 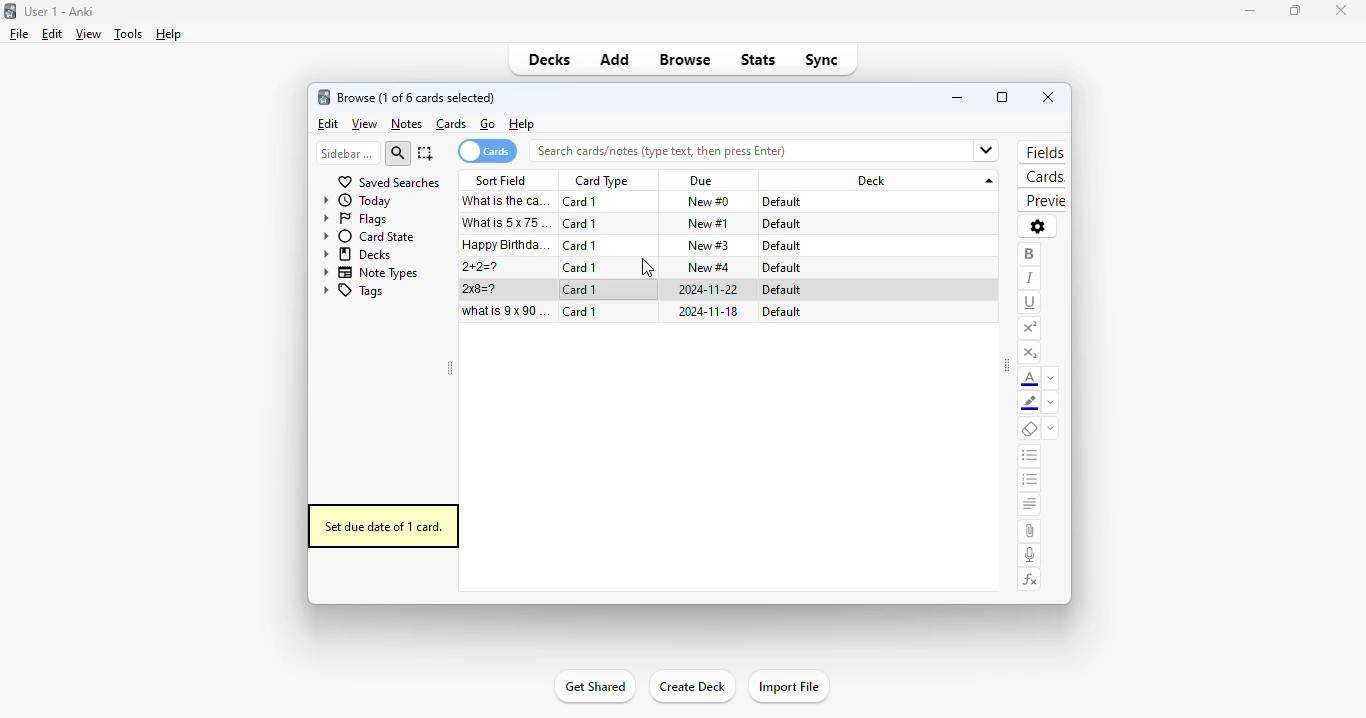 What do you see at coordinates (1002, 97) in the screenshot?
I see `maximize` at bounding box center [1002, 97].